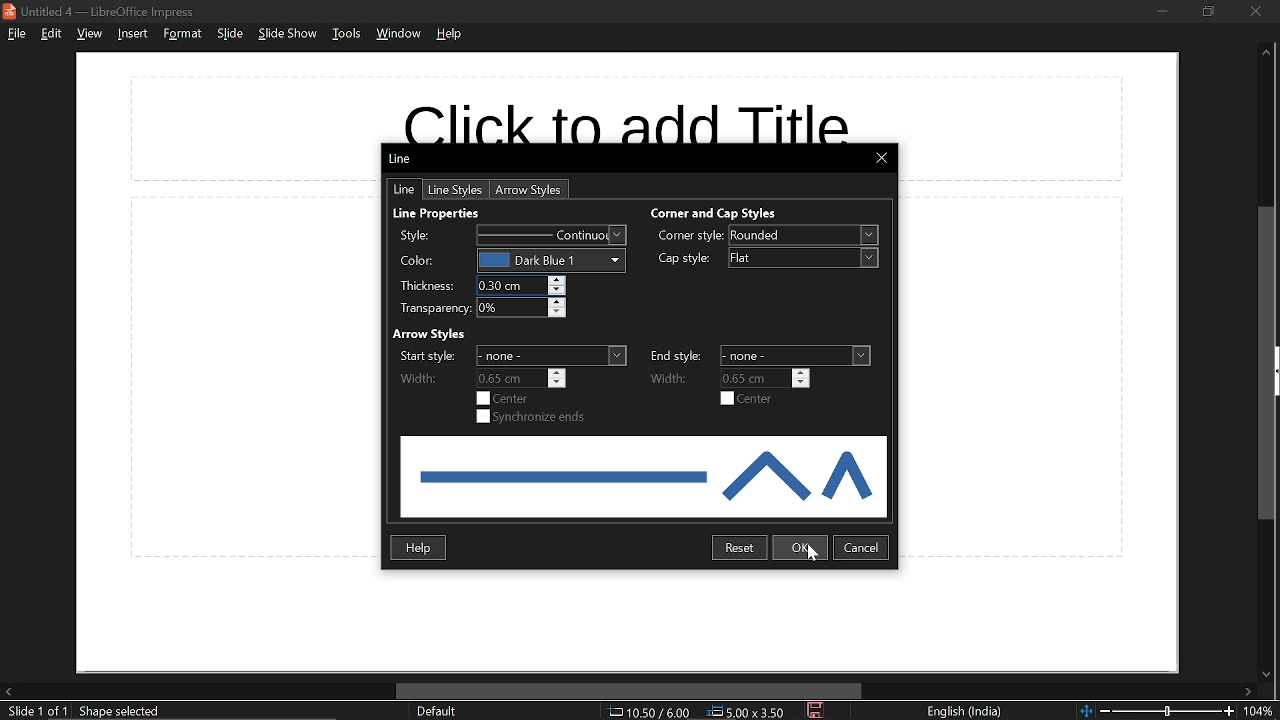 The height and width of the screenshot is (720, 1280). Describe the element at coordinates (348, 35) in the screenshot. I see `tools` at that location.